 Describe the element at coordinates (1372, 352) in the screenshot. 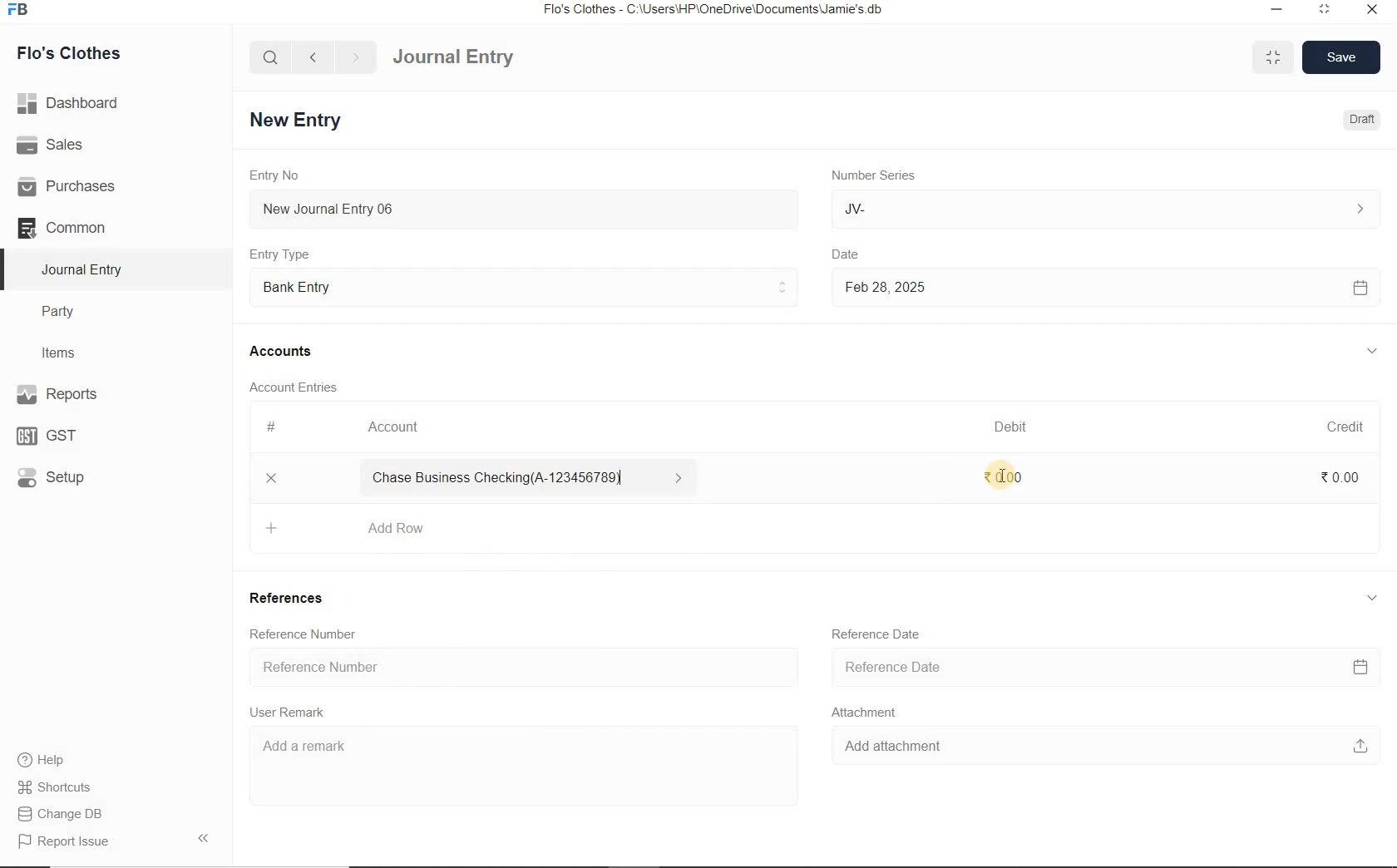

I see `collapse` at that location.